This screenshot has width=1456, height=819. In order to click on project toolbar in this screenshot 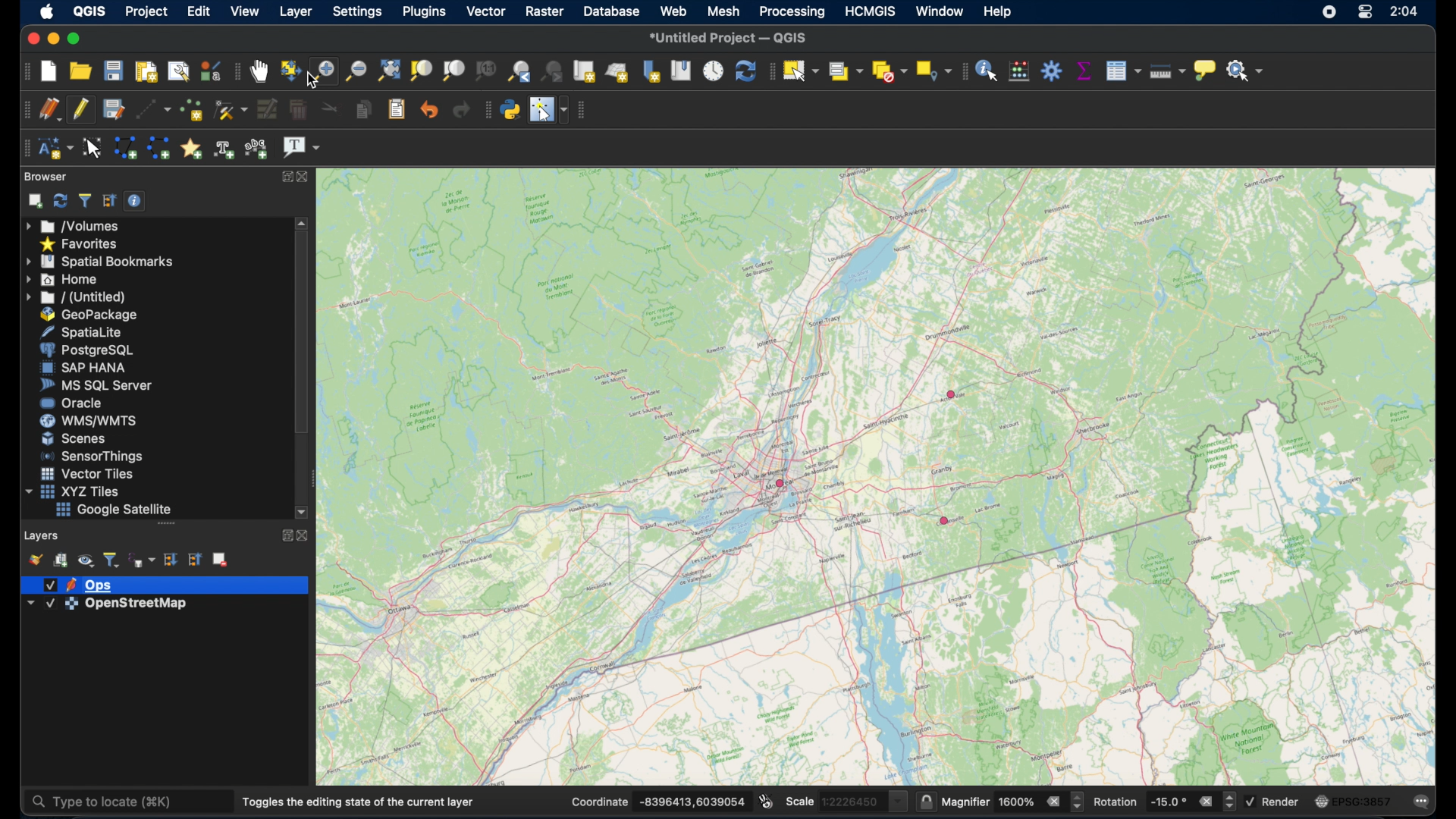, I will do `click(24, 73)`.